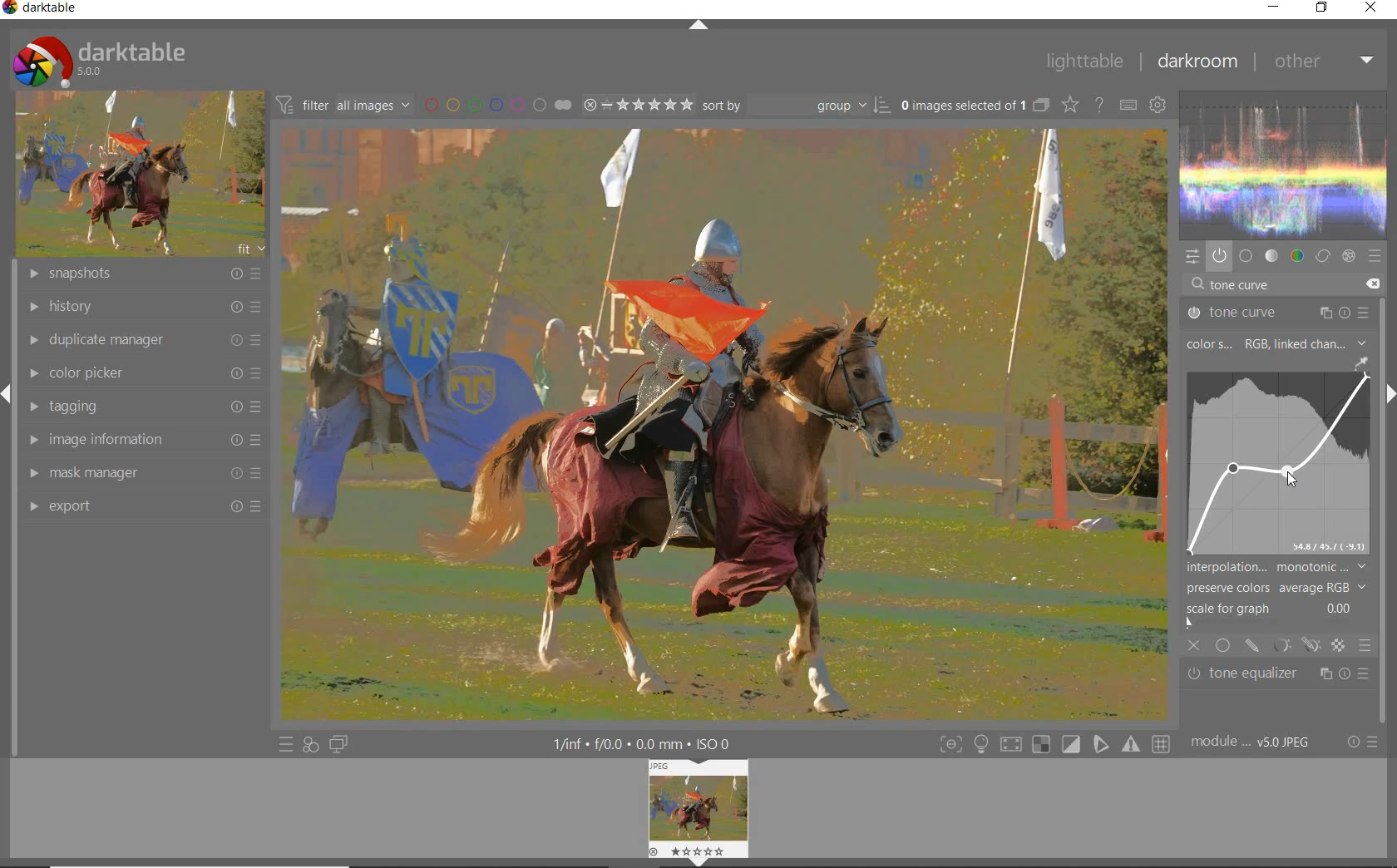 The image size is (1397, 868). Describe the element at coordinates (45, 10) in the screenshot. I see `darktable` at that location.